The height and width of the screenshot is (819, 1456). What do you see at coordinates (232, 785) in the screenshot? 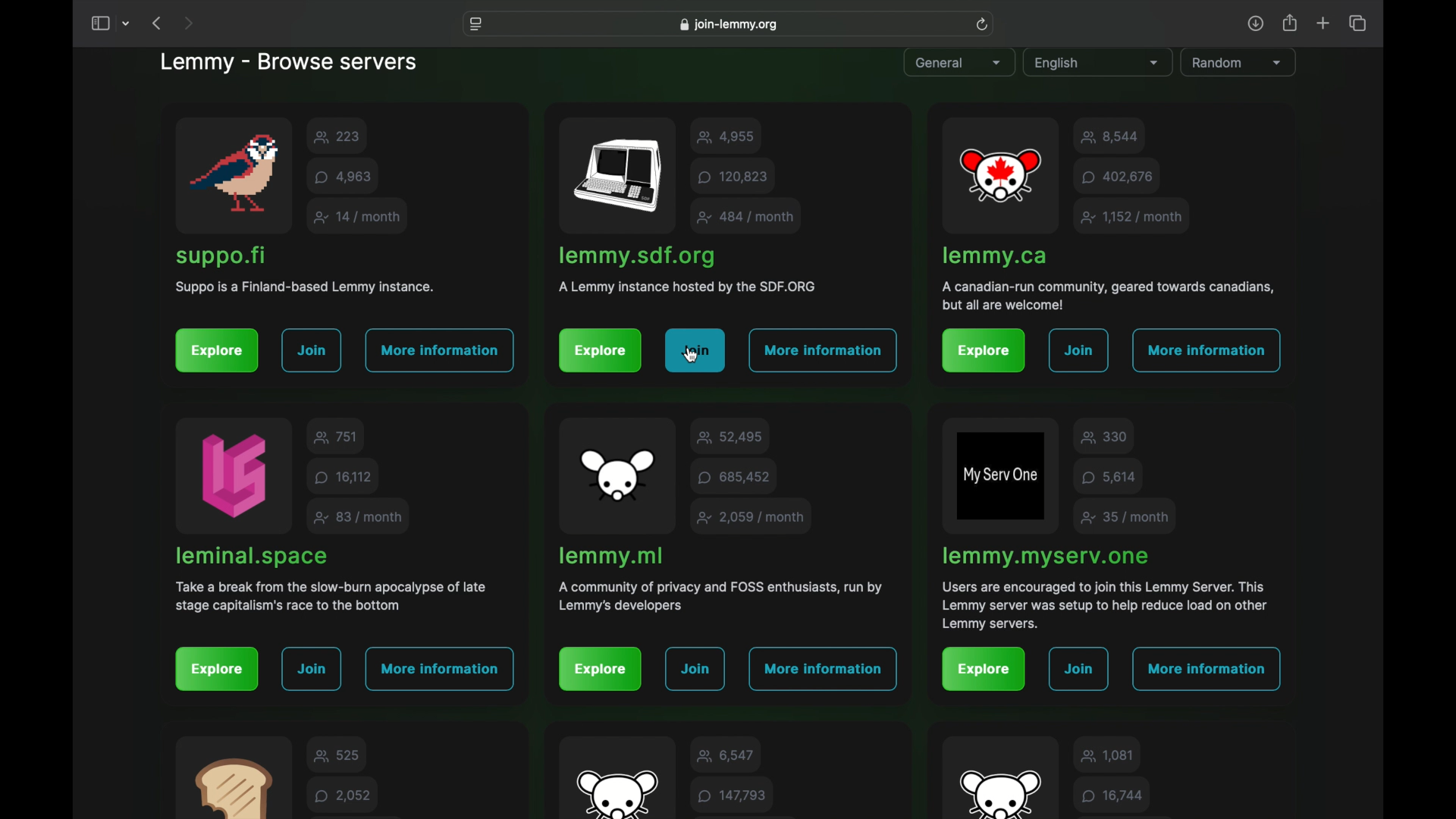
I see `toast icon` at bounding box center [232, 785].